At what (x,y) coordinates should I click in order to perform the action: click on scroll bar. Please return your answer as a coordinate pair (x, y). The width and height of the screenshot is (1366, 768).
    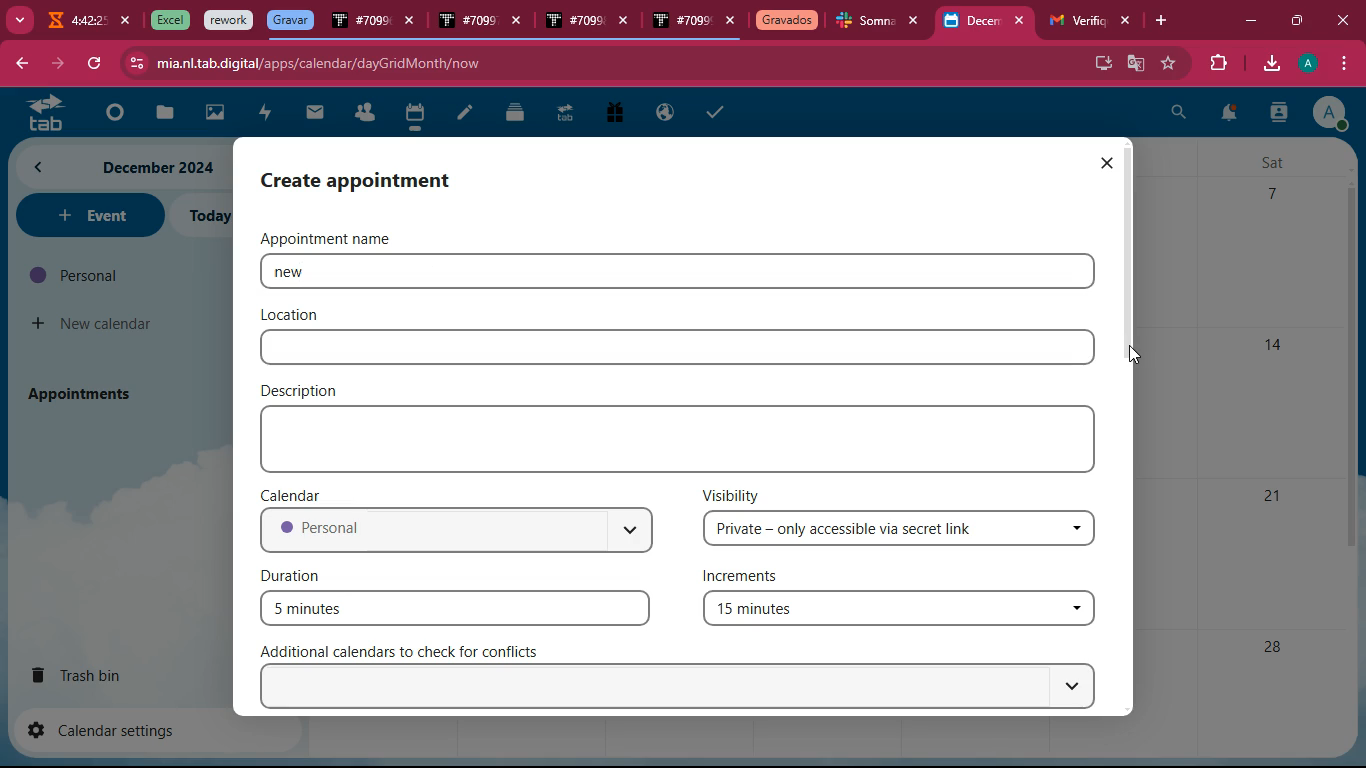
    Looking at the image, I should click on (1129, 240).